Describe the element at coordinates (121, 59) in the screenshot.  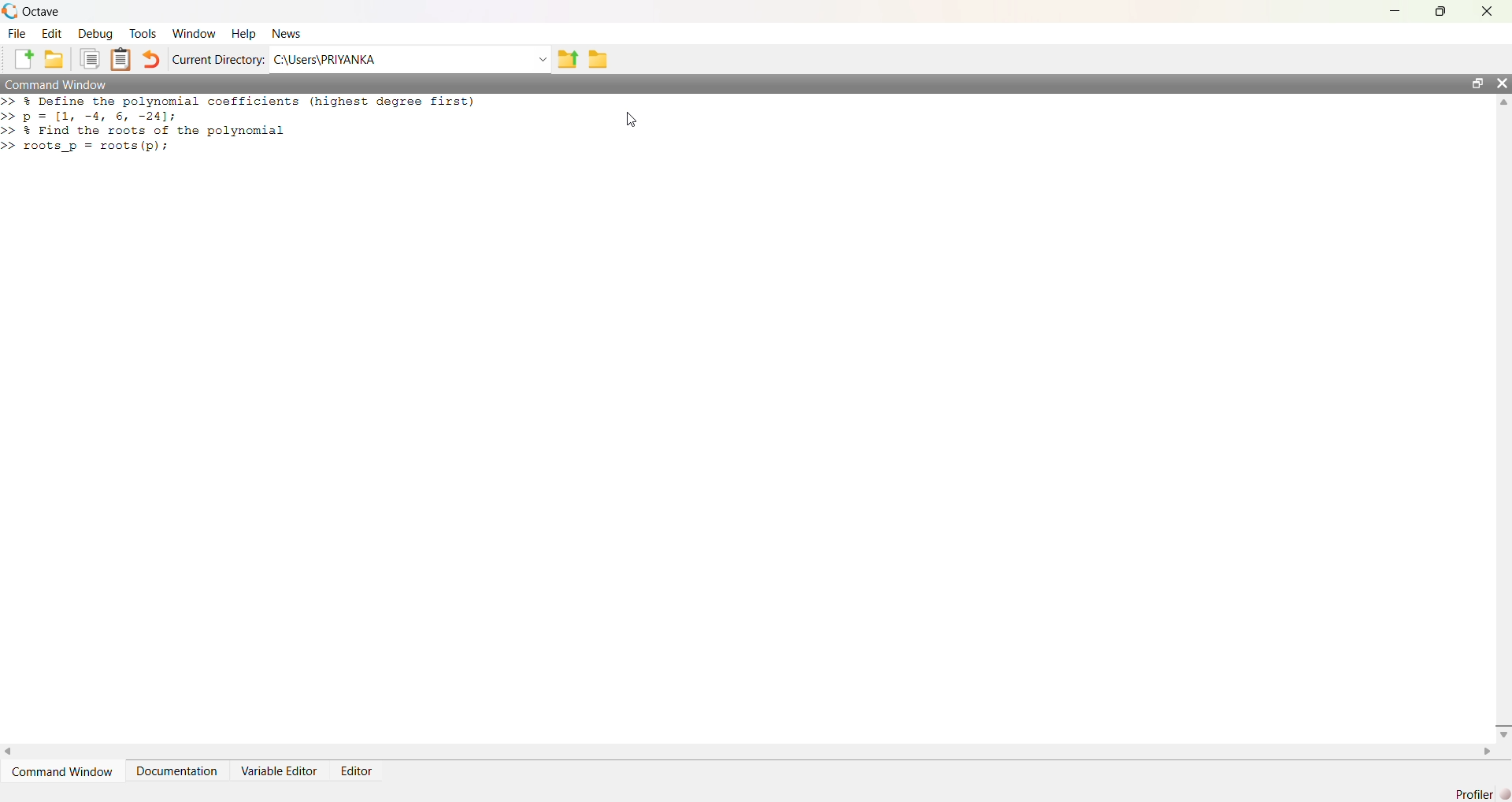
I see `Clipboard` at that location.